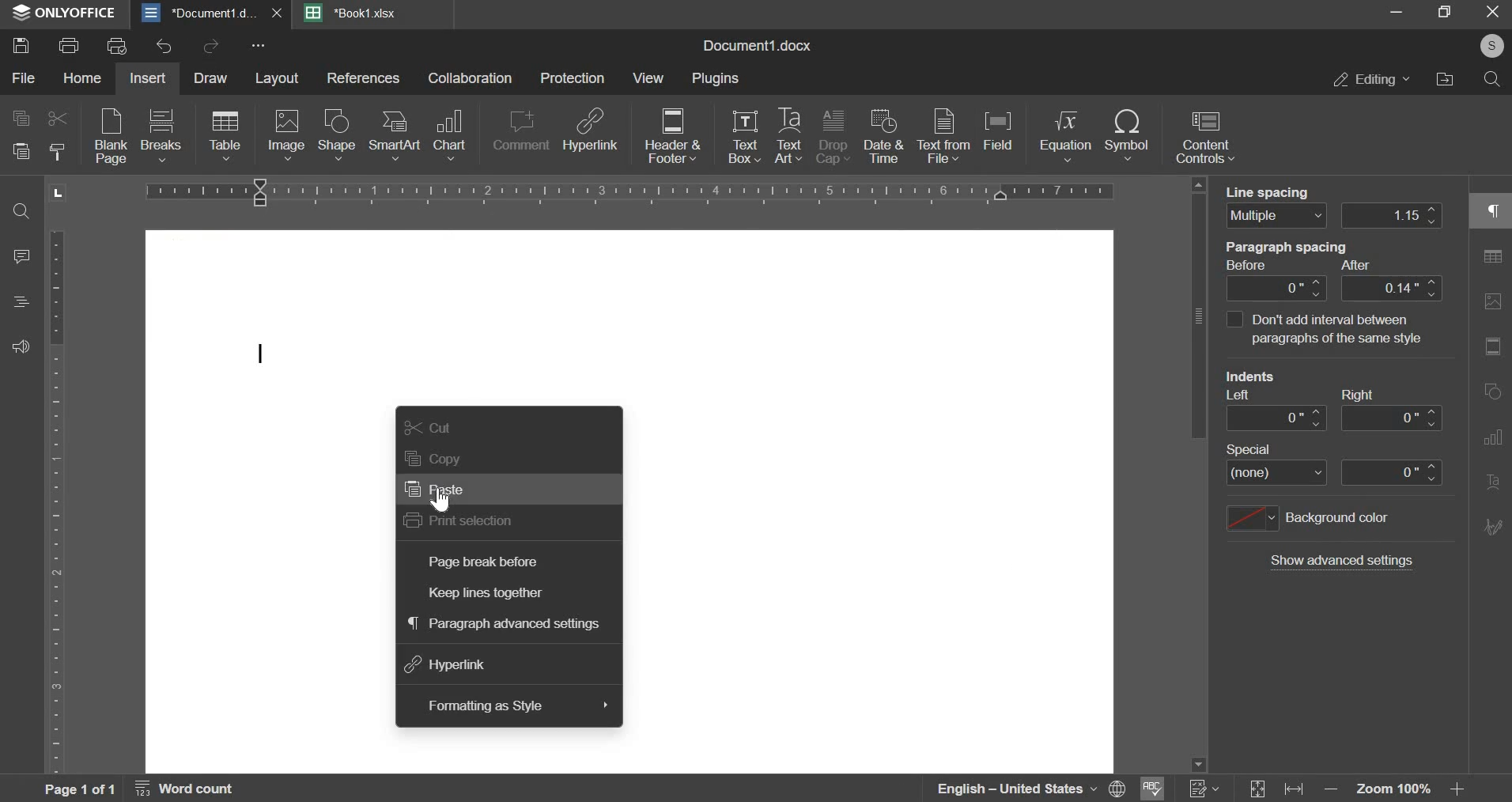 The image size is (1512, 802). What do you see at coordinates (259, 47) in the screenshot?
I see `more options` at bounding box center [259, 47].